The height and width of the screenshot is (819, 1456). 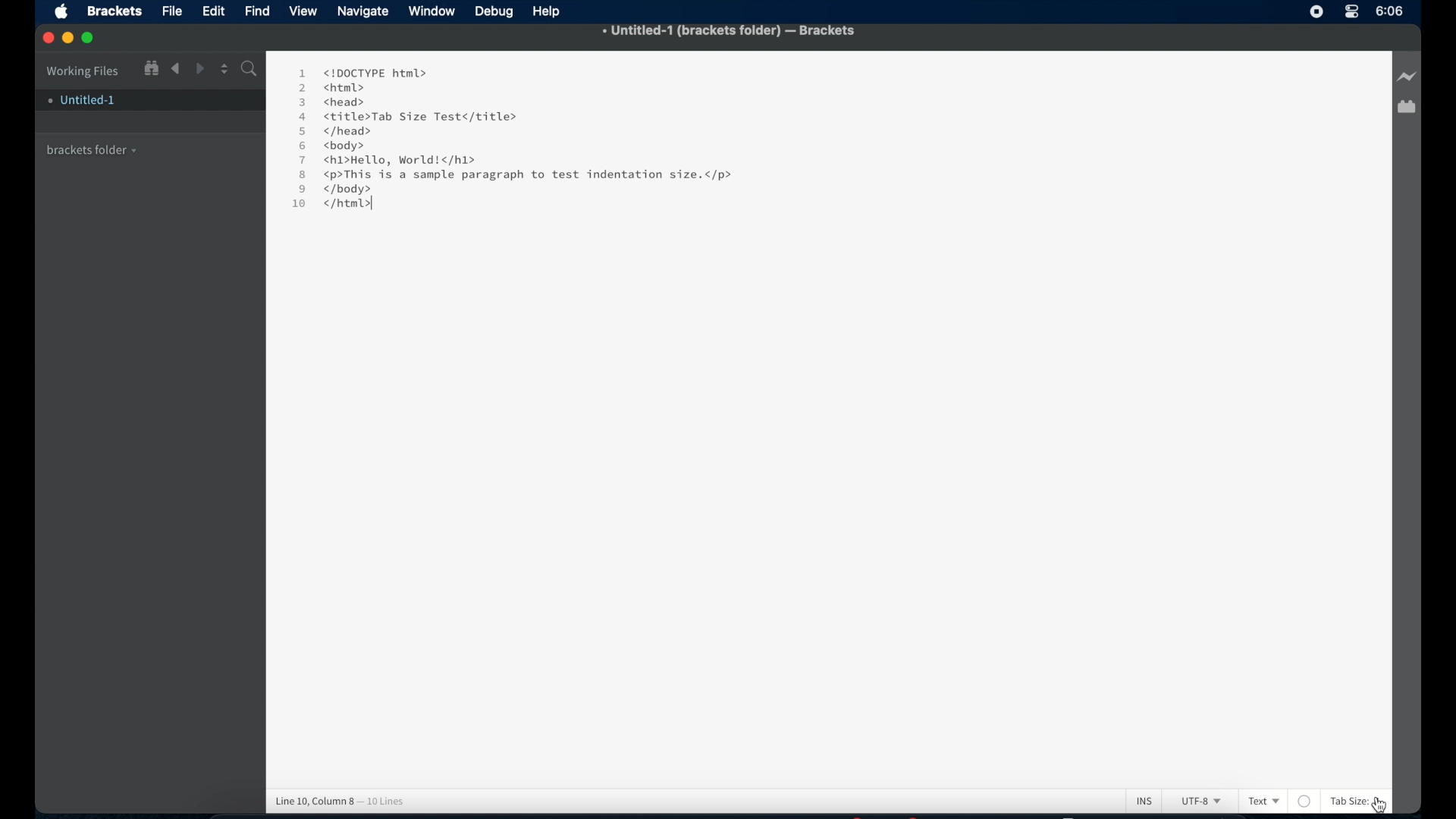 What do you see at coordinates (1198, 802) in the screenshot?
I see `UTF-8` at bounding box center [1198, 802].